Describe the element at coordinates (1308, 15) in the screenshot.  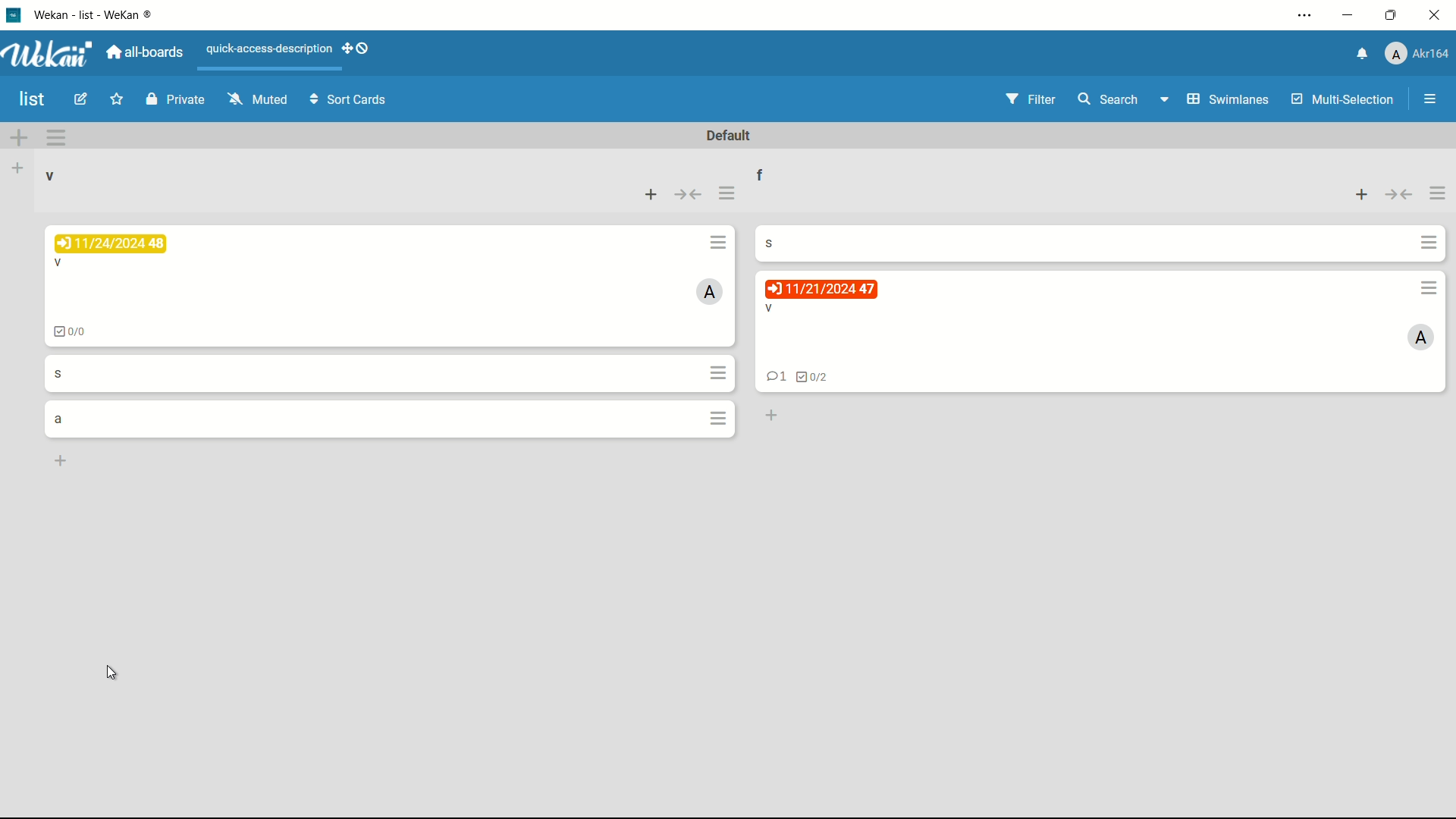
I see `settings and more` at that location.